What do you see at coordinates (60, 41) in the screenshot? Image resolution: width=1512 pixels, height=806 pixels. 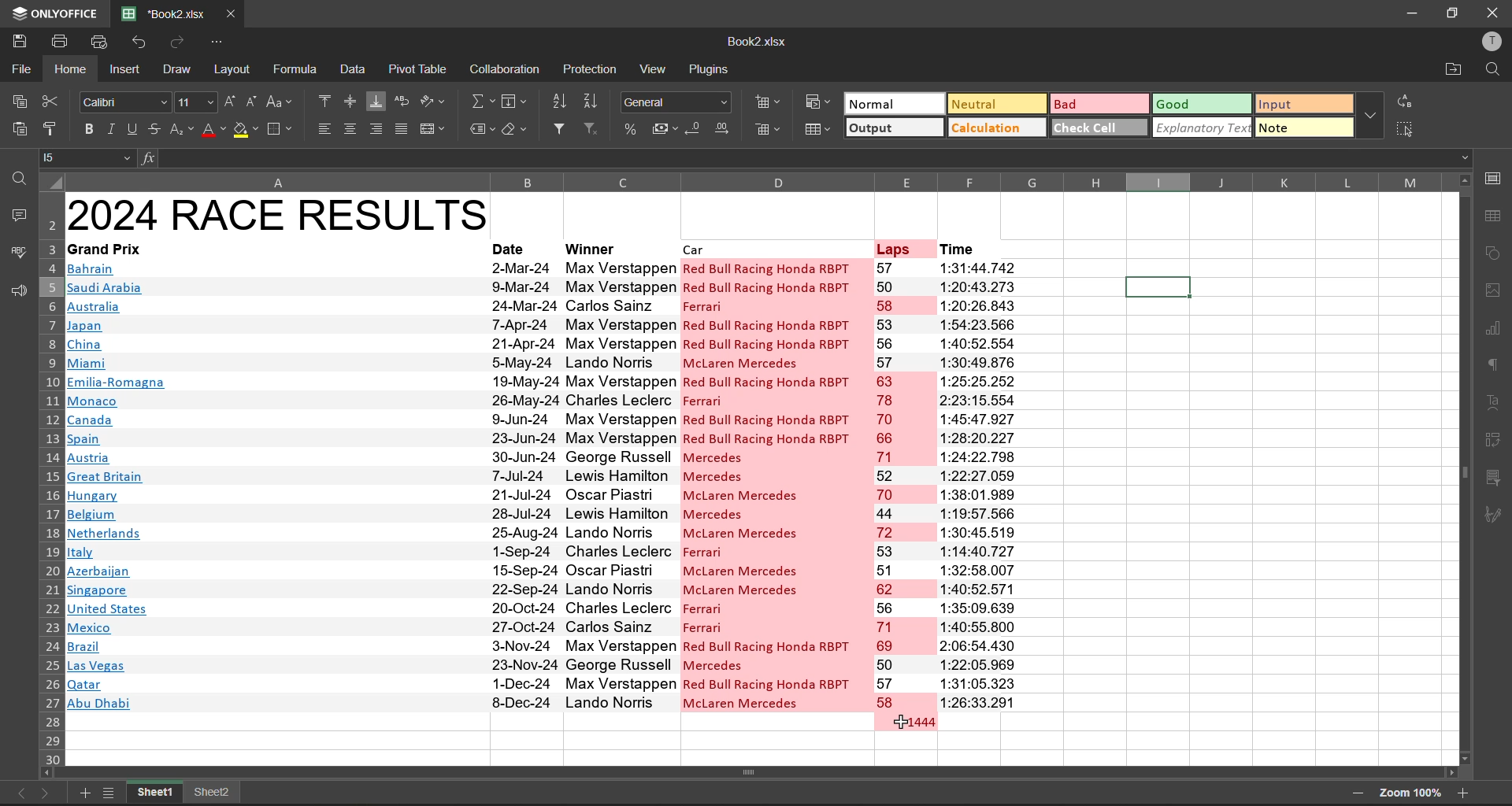 I see `print` at bounding box center [60, 41].